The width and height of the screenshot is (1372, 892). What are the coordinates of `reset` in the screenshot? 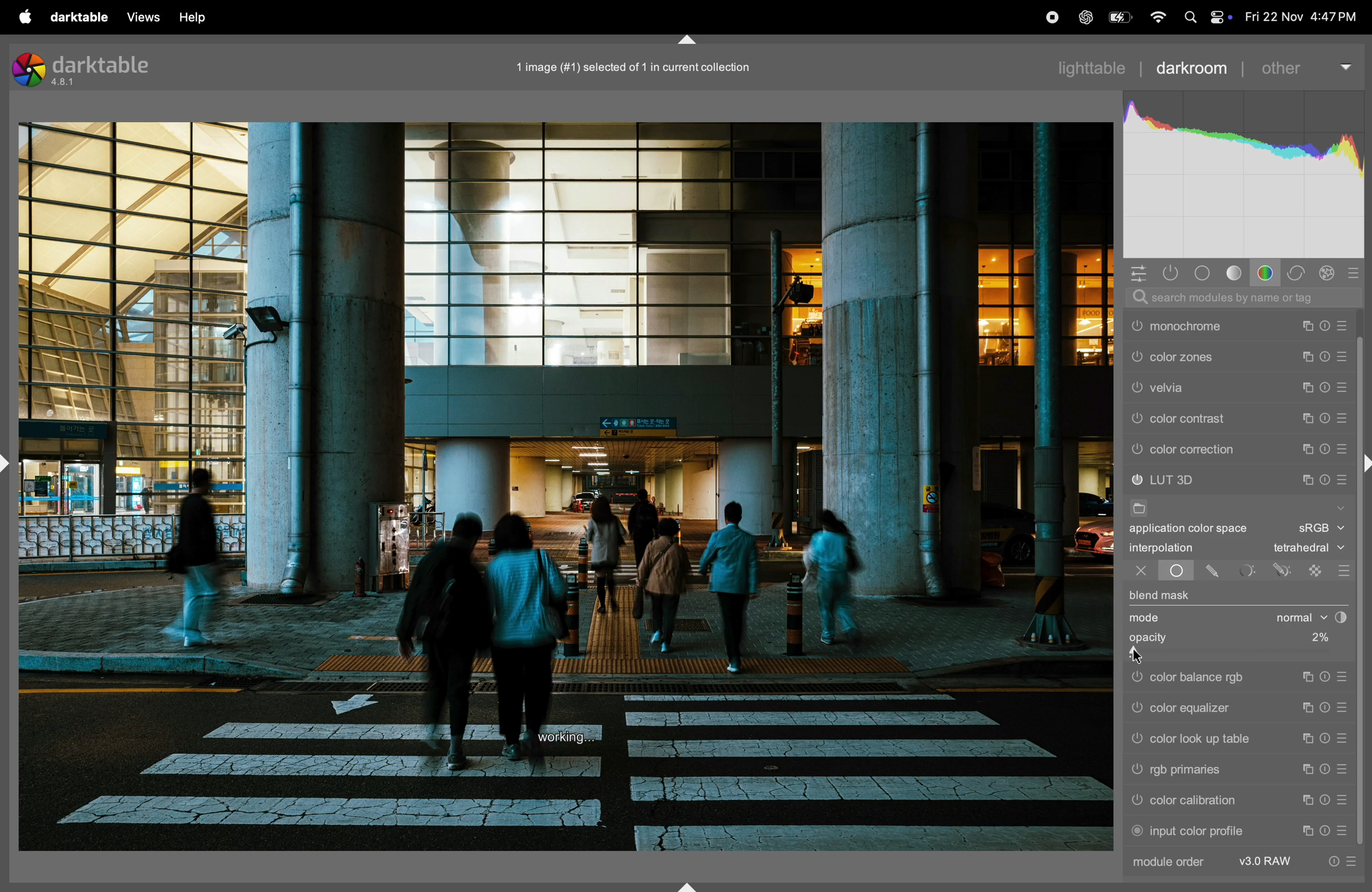 It's located at (1325, 477).